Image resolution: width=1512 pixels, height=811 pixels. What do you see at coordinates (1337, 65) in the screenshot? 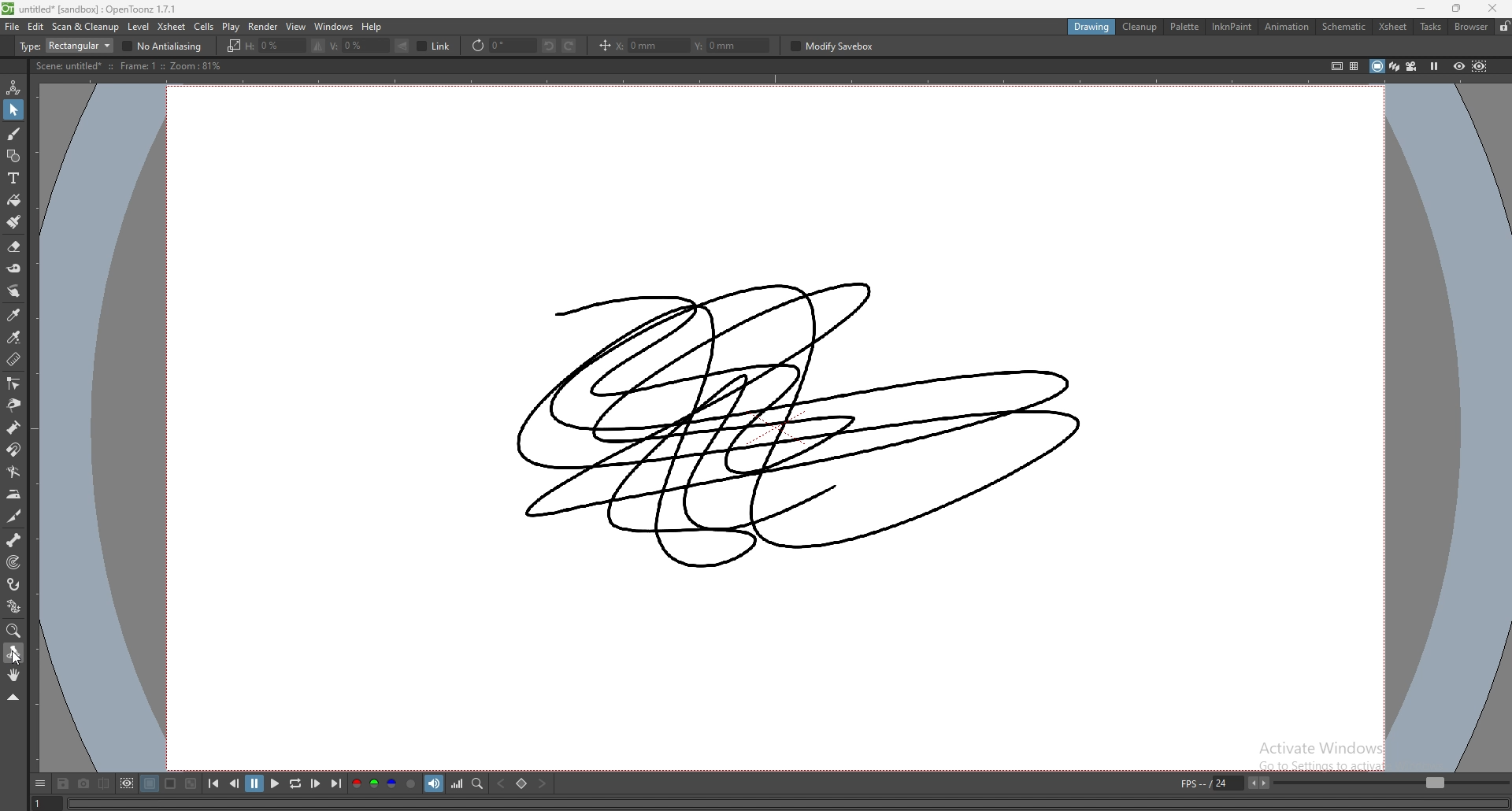
I see `safe area` at bounding box center [1337, 65].